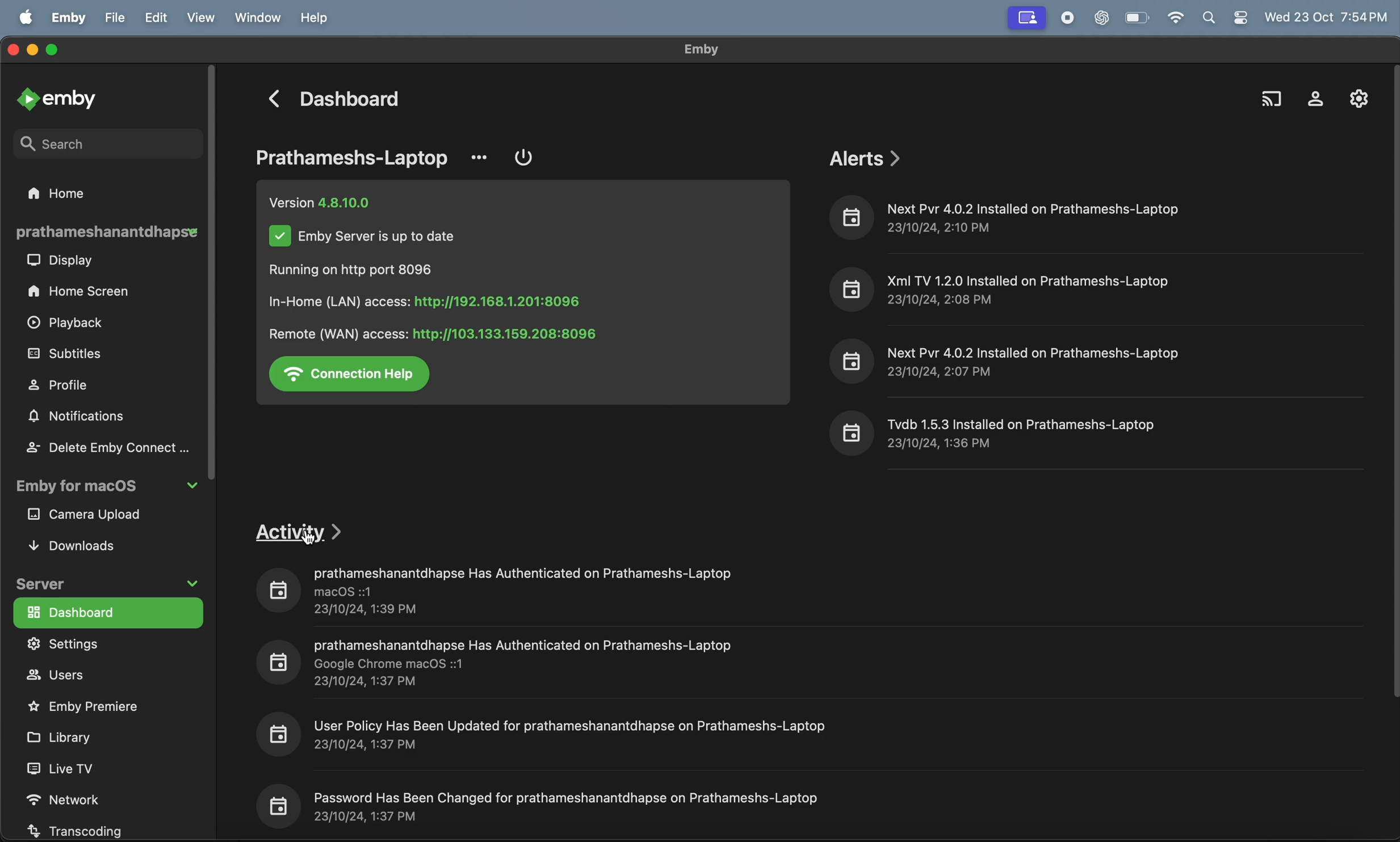 The image size is (1400, 842). Describe the element at coordinates (1175, 19) in the screenshot. I see `wifi` at that location.